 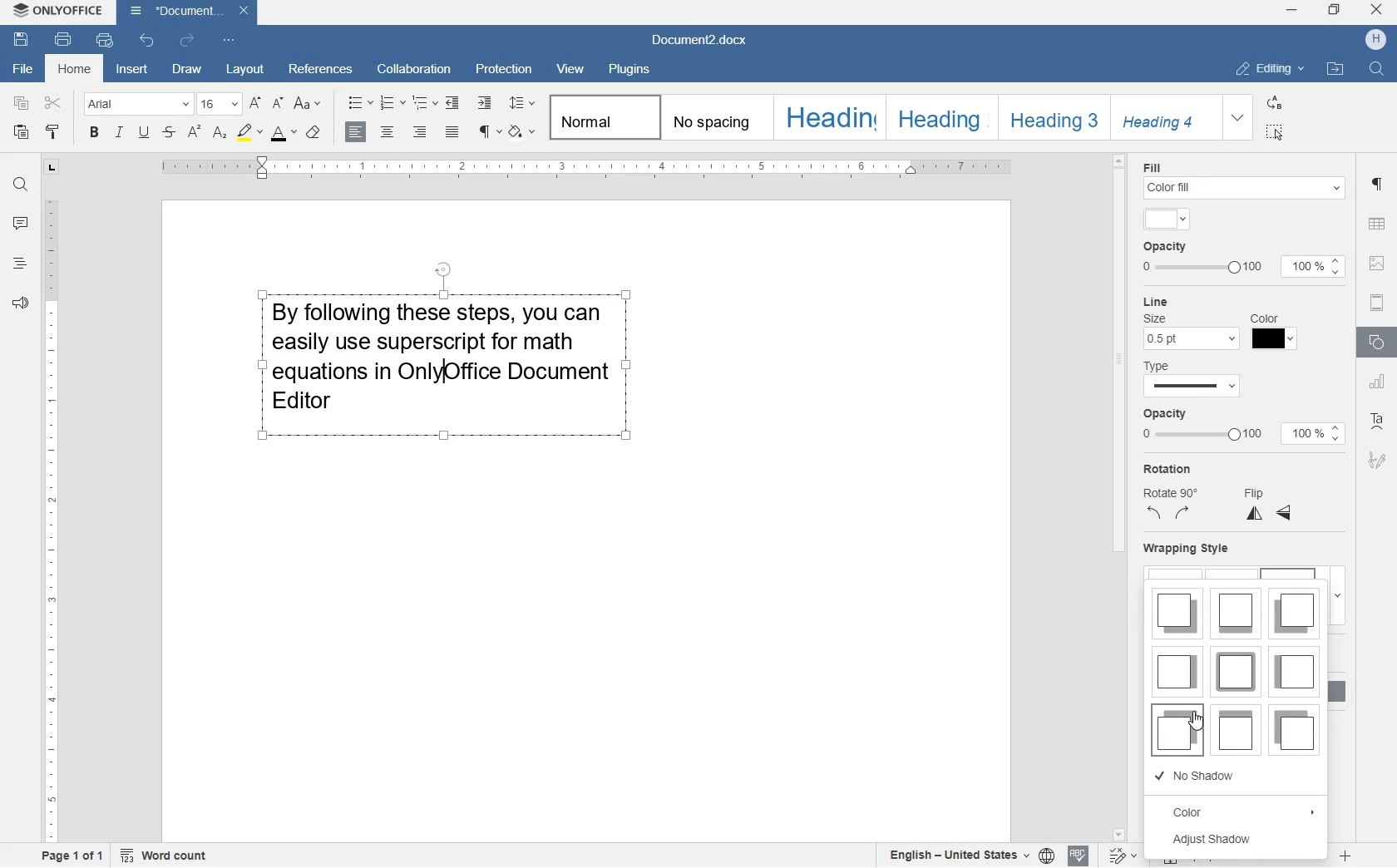 I want to click on font color, so click(x=283, y=134).